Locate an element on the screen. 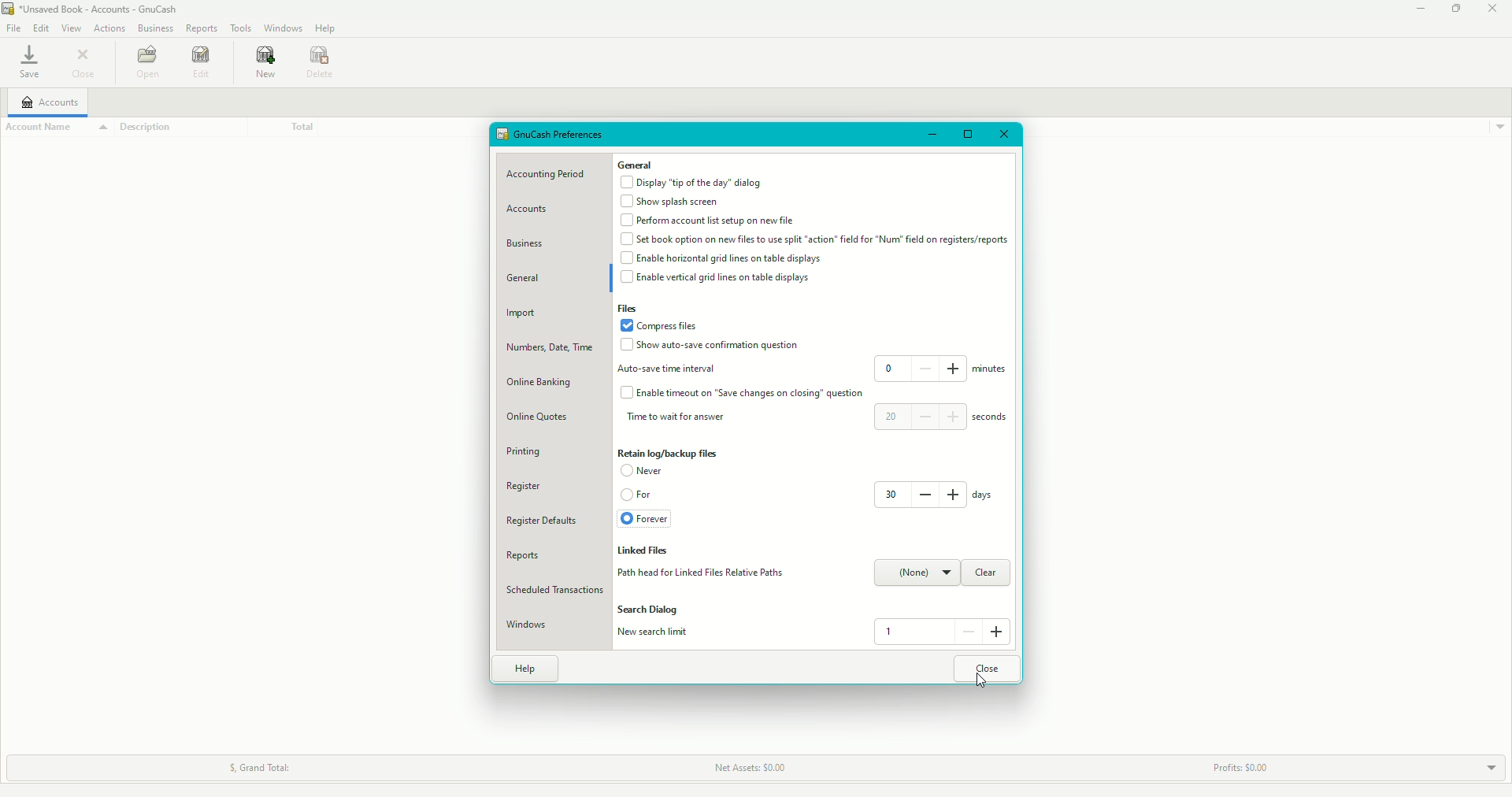 The width and height of the screenshot is (1512, 797). Enable timeout is located at coordinates (745, 393).